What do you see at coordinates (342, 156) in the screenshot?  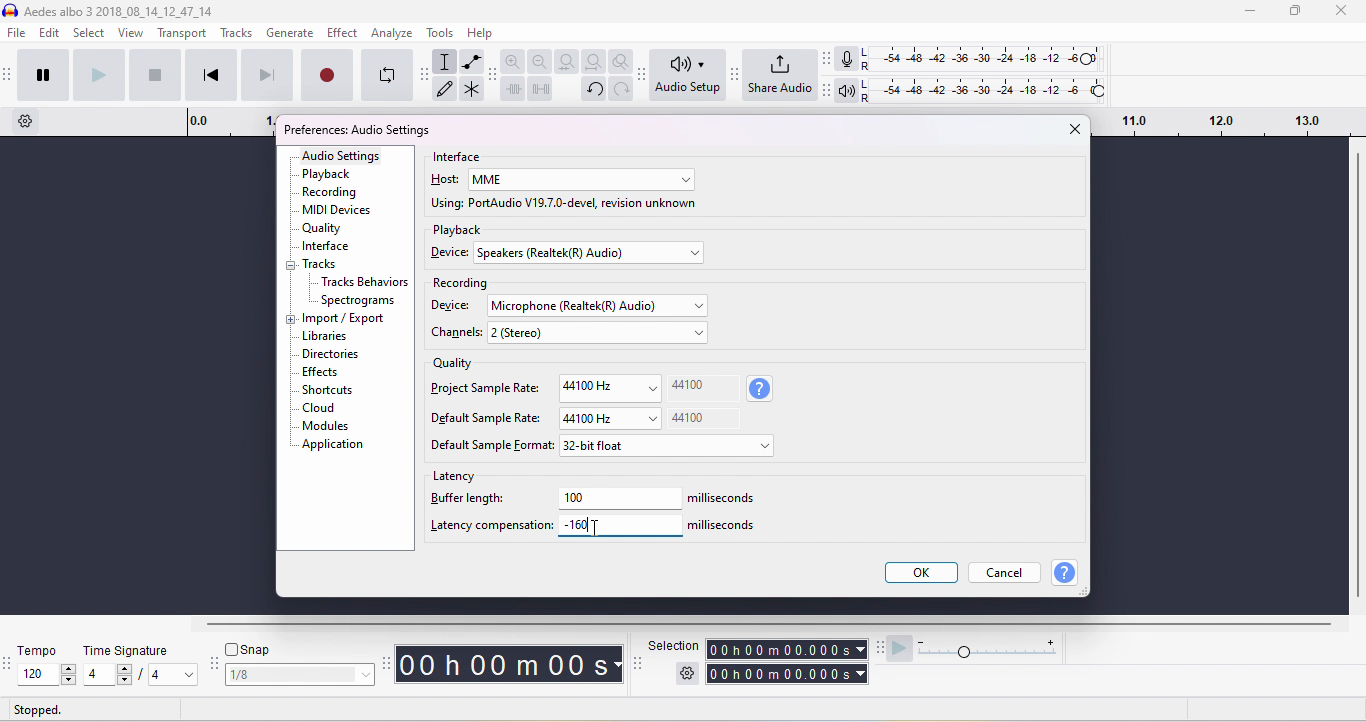 I see `audio settings` at bounding box center [342, 156].